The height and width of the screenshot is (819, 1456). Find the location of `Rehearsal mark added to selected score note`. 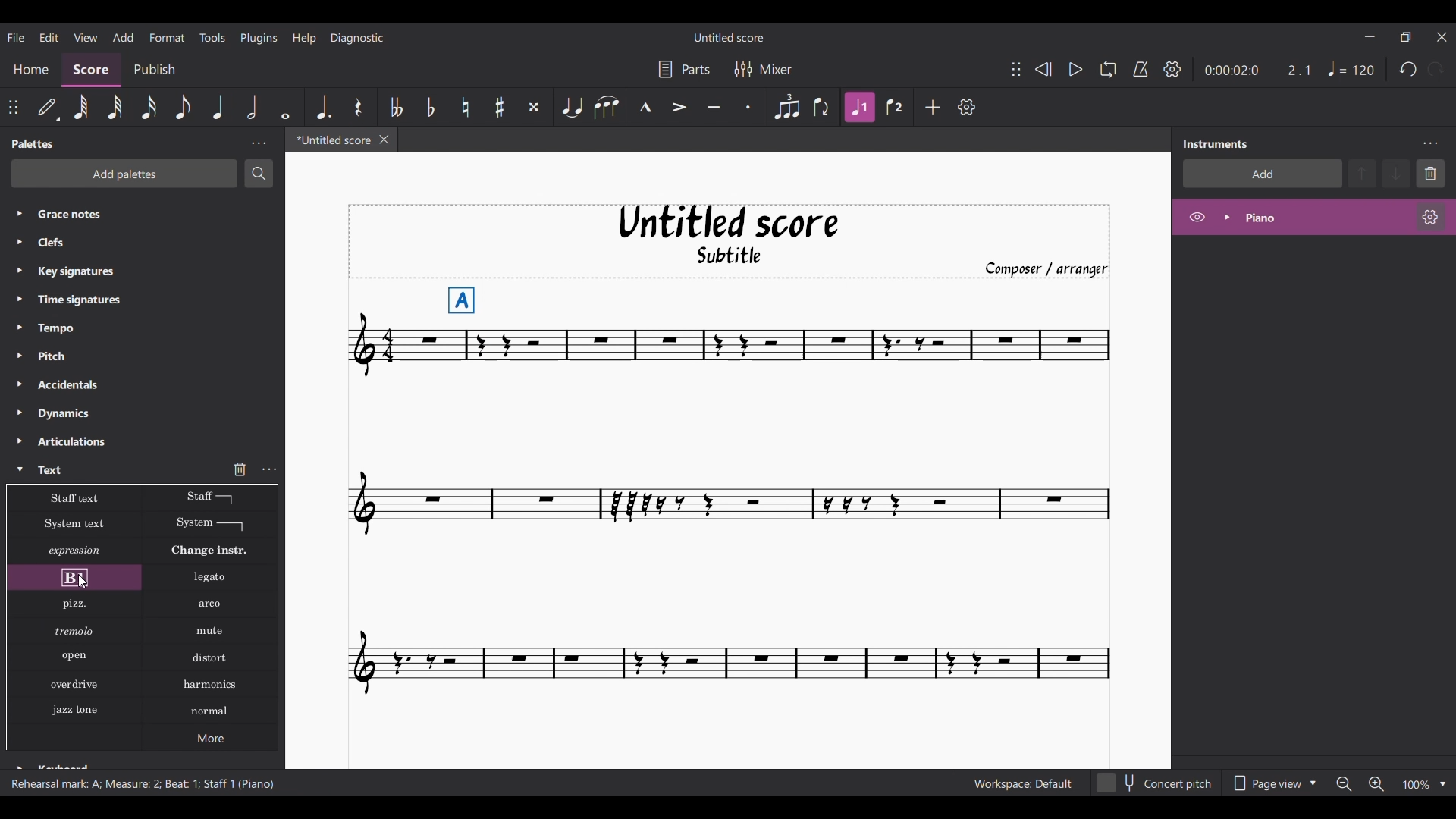

Rehearsal mark added to selected score note is located at coordinates (462, 300).